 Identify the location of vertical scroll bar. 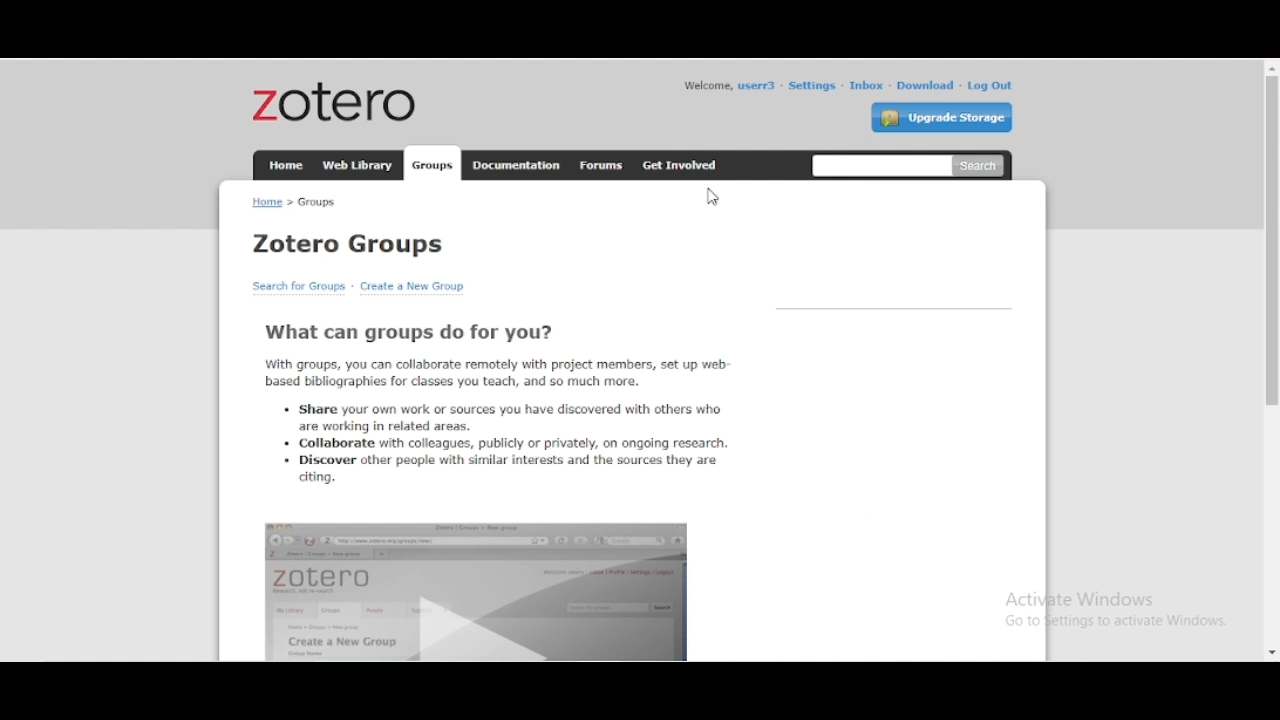
(1270, 243).